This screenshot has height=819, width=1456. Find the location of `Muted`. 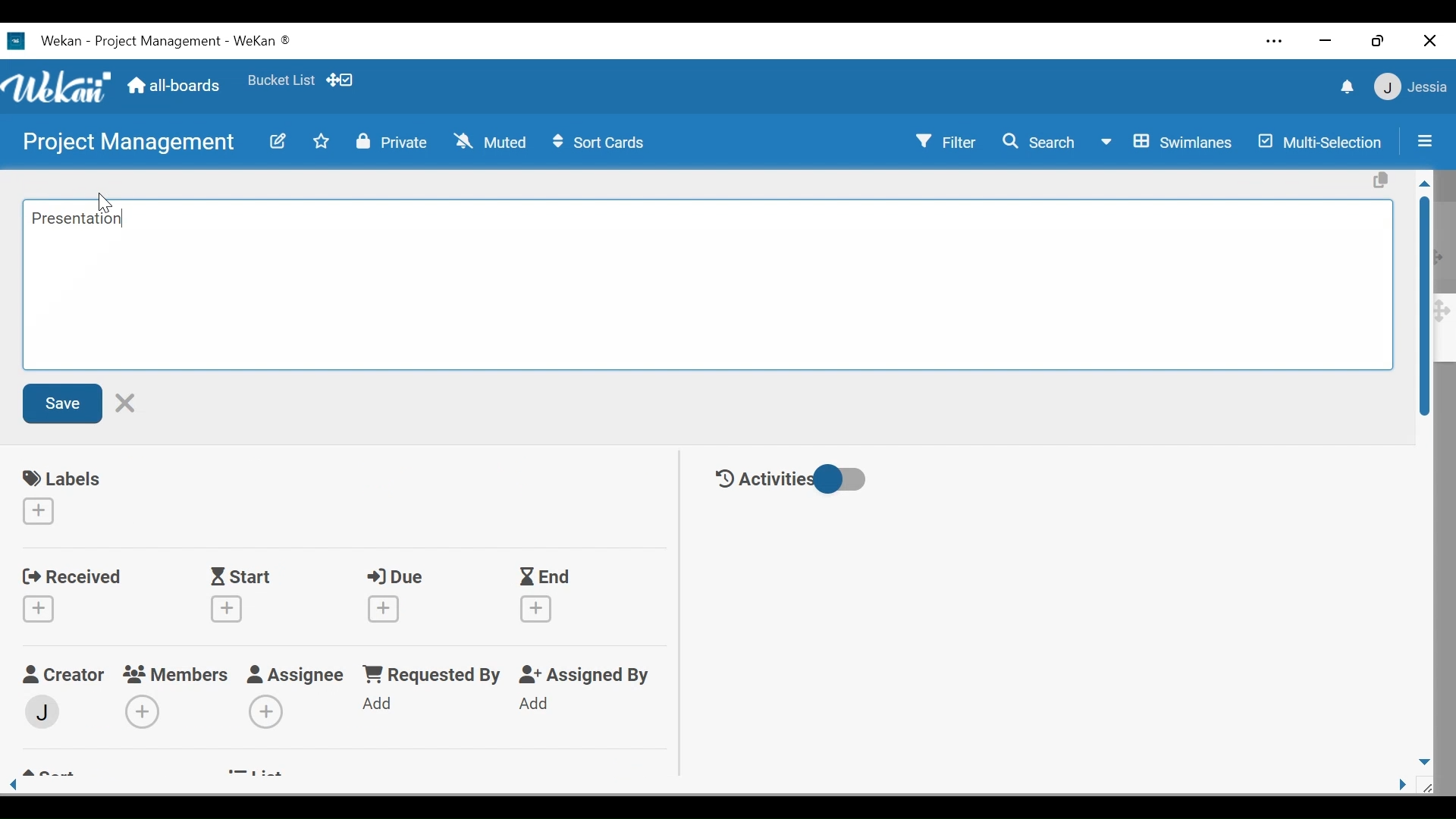

Muted is located at coordinates (489, 143).